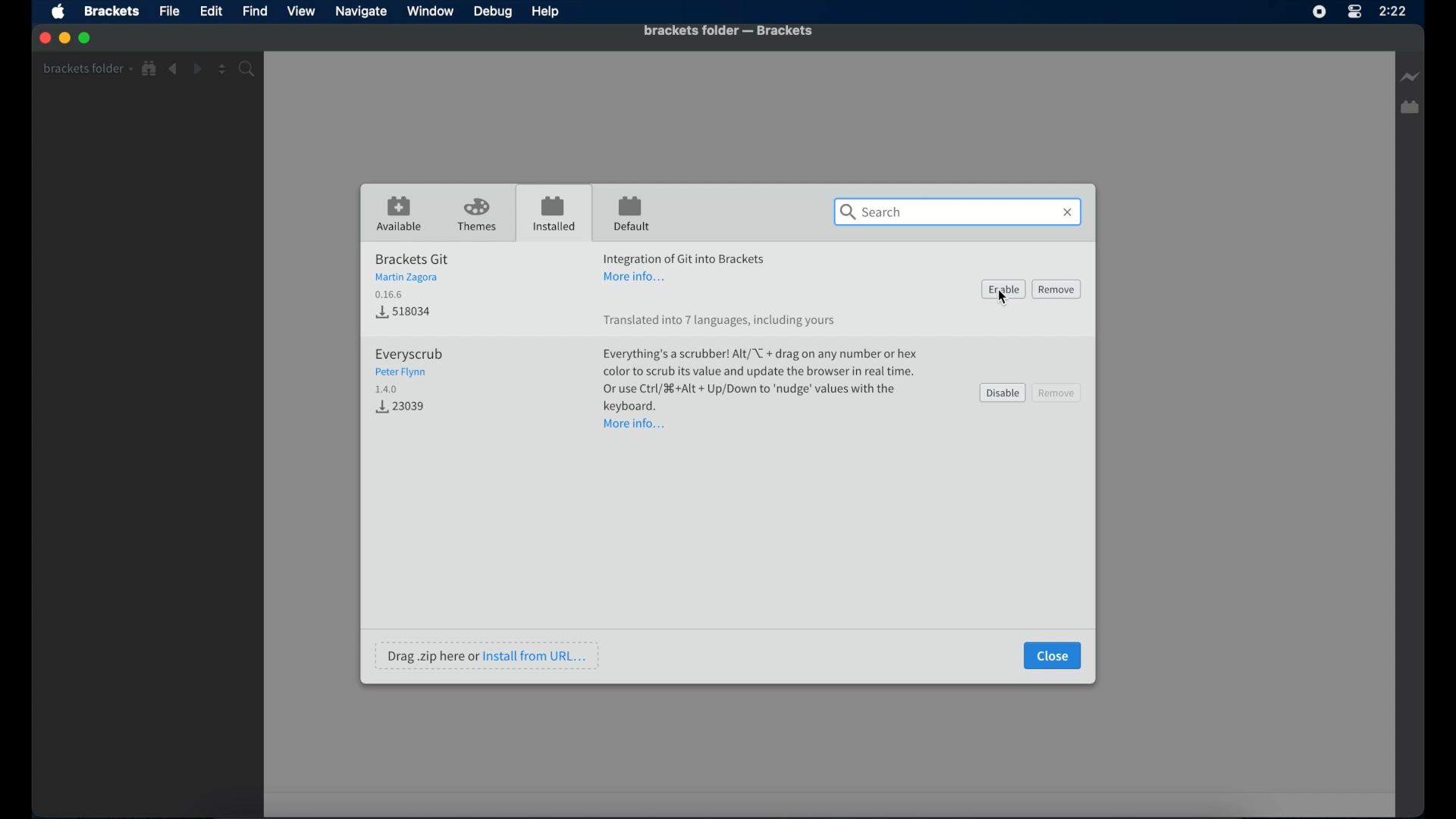 Image resolution: width=1456 pixels, height=819 pixels. What do you see at coordinates (479, 215) in the screenshot?
I see `themes` at bounding box center [479, 215].